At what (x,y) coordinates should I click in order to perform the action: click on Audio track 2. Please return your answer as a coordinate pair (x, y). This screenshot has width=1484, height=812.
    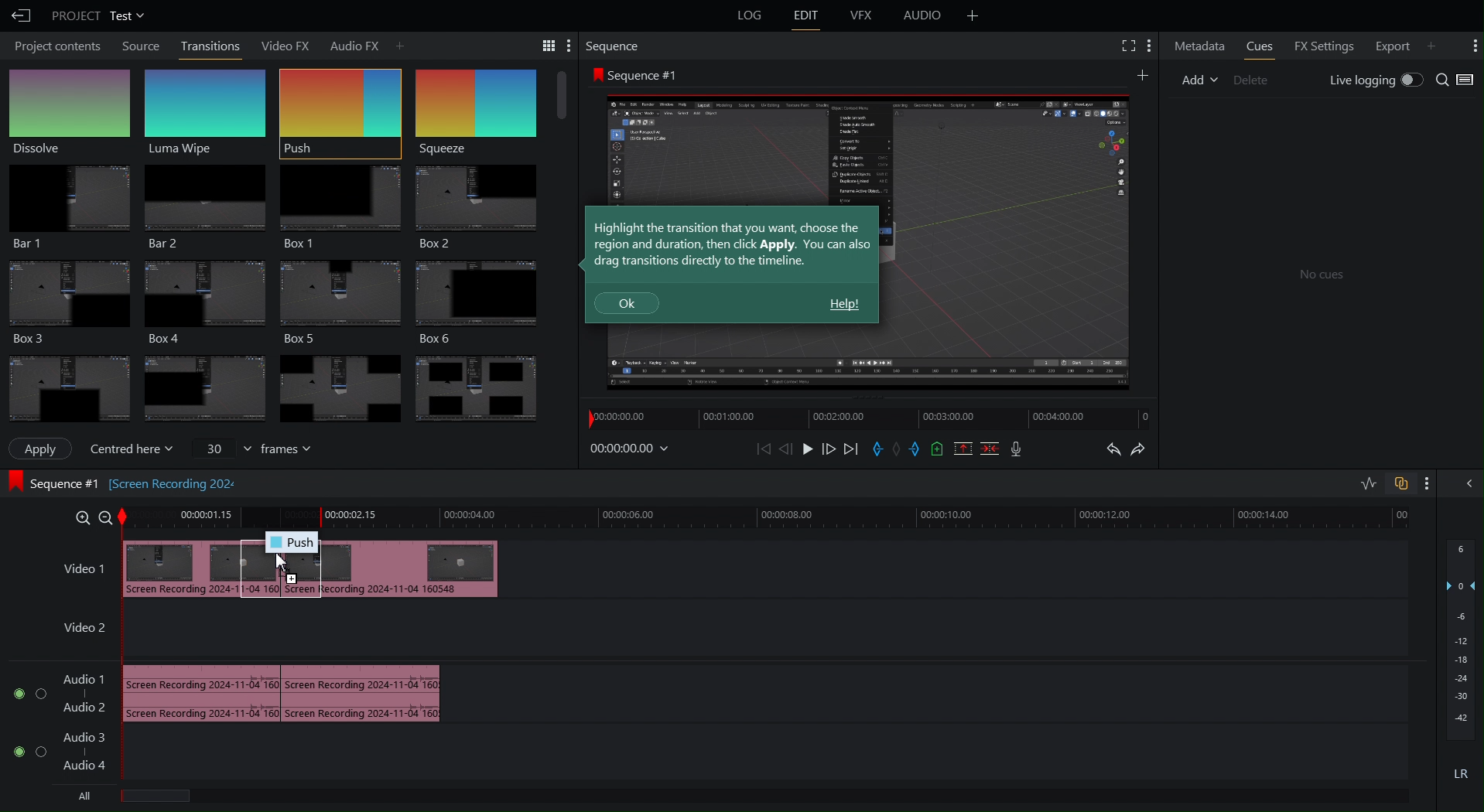
    Looking at the image, I should click on (84, 707).